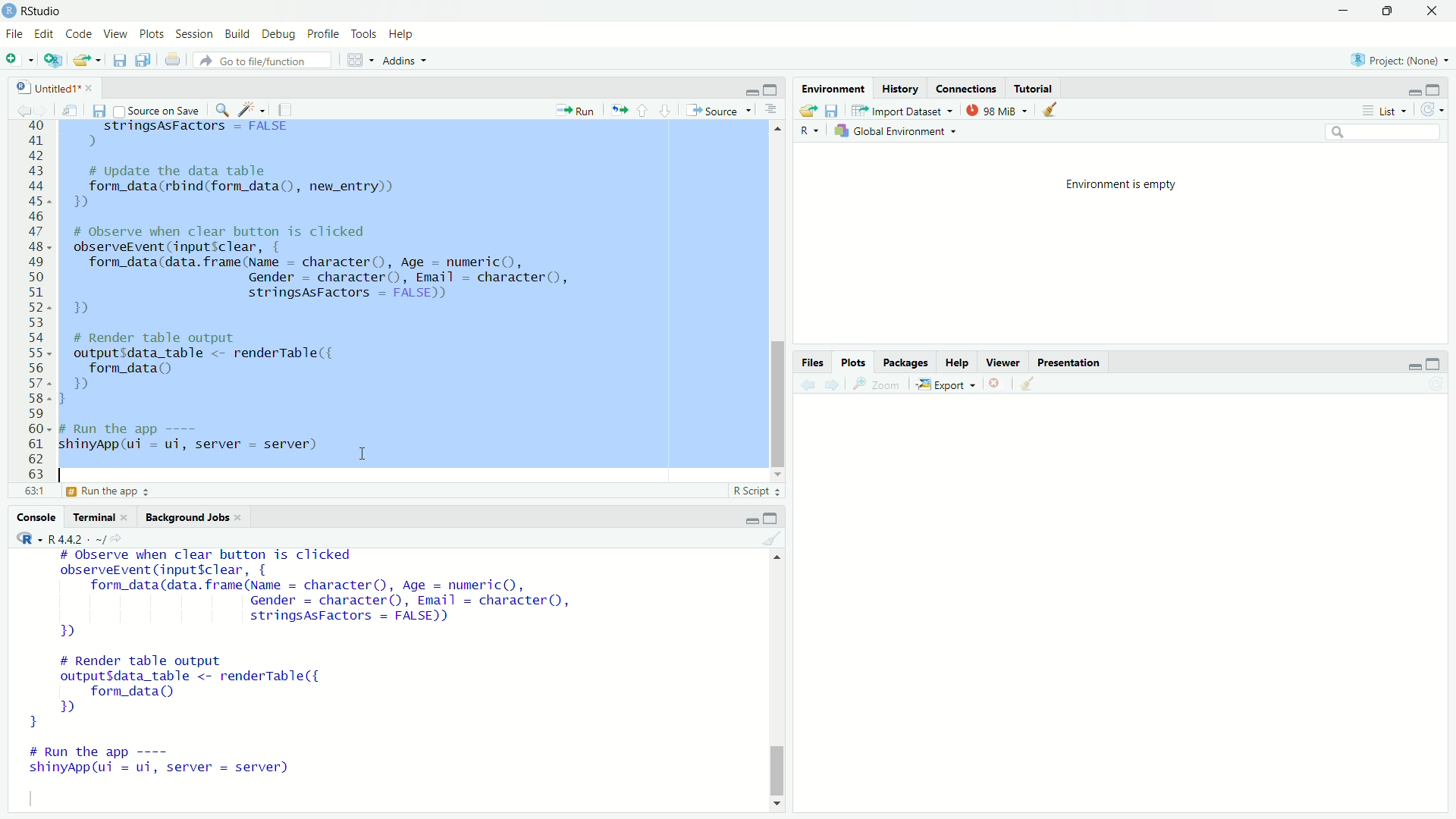 This screenshot has width=1456, height=819. What do you see at coordinates (1055, 110) in the screenshot?
I see `clear objects from the workspace` at bounding box center [1055, 110].